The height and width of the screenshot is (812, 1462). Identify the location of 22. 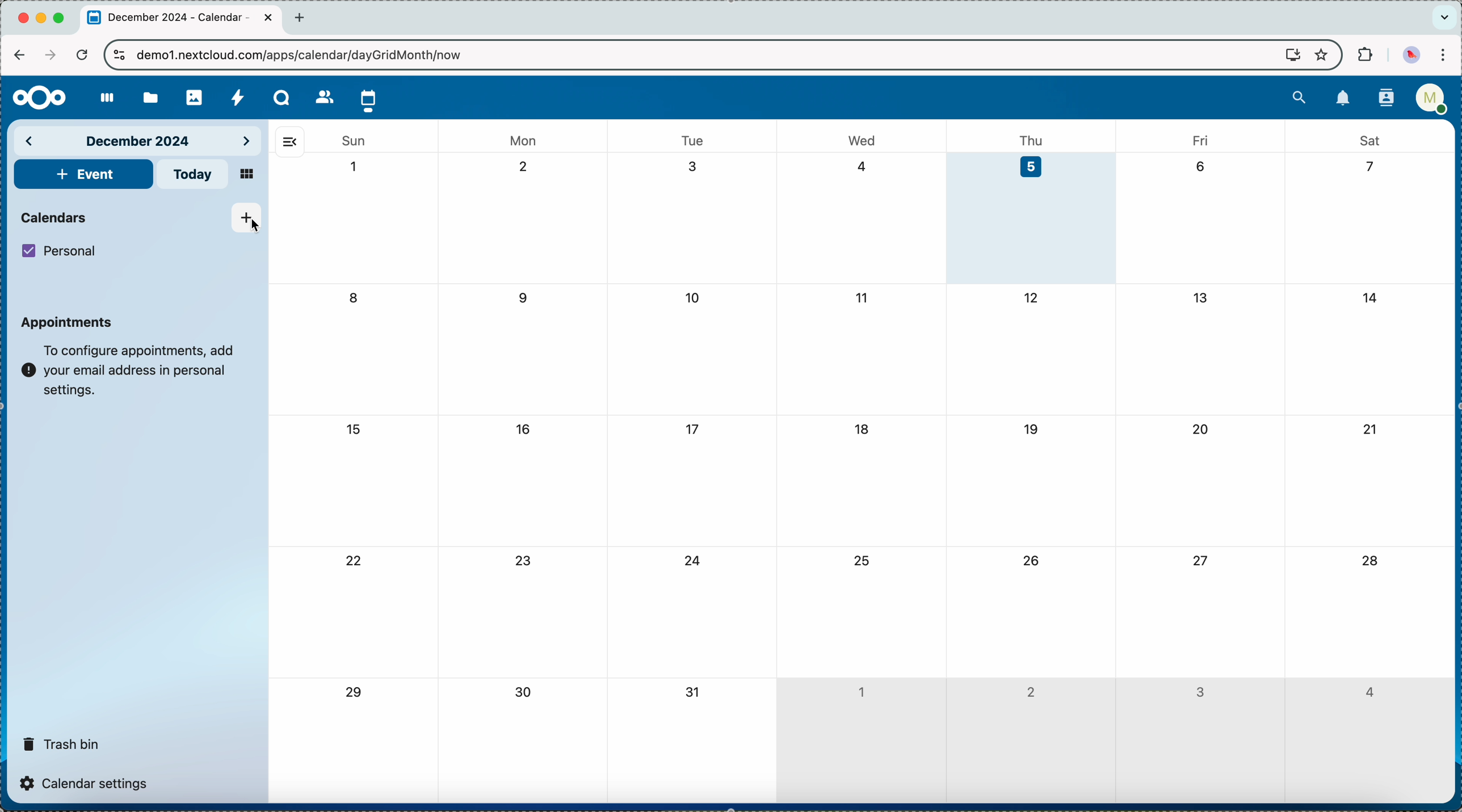
(355, 563).